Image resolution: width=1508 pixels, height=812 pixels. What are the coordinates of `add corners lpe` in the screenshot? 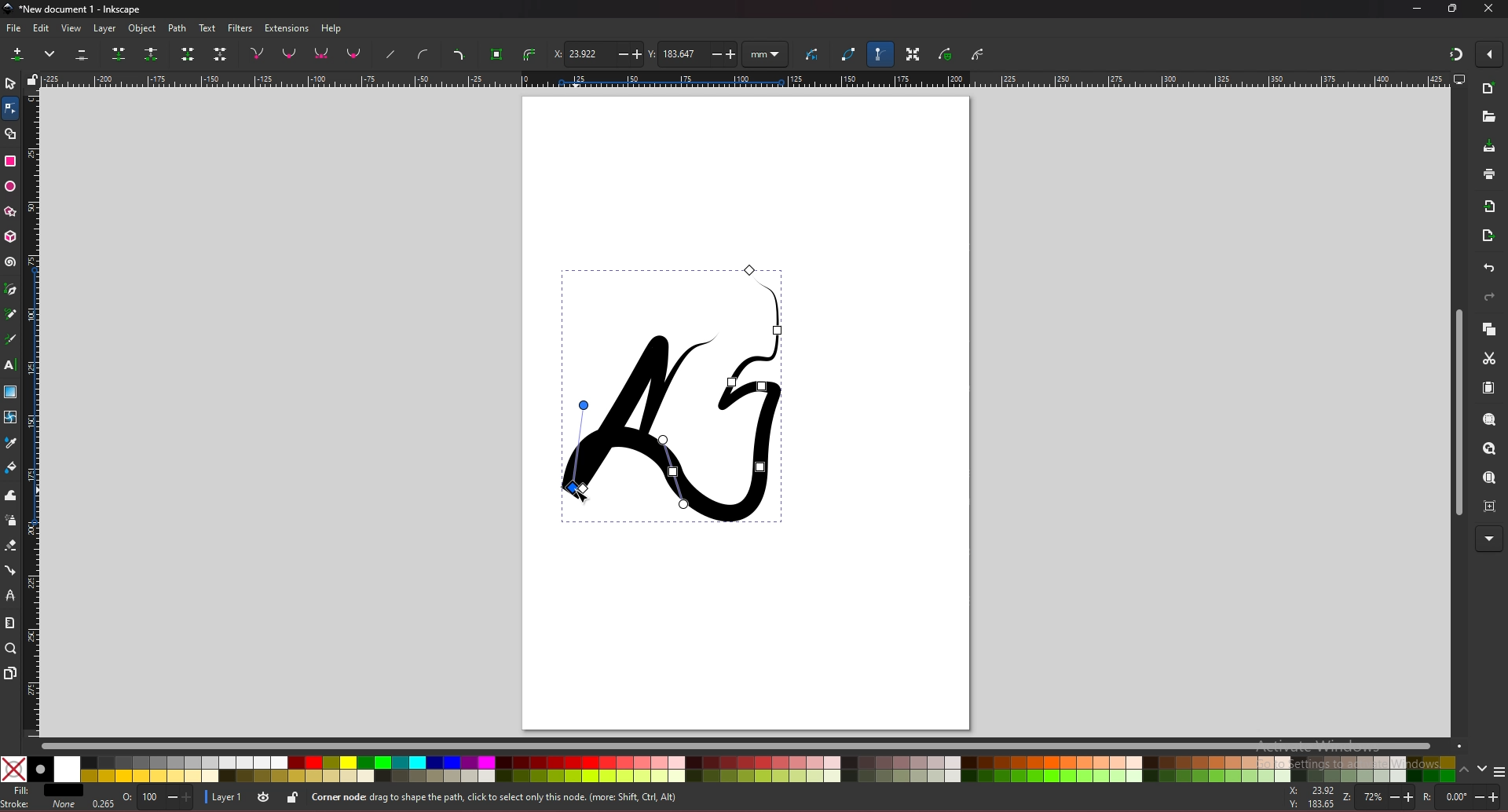 It's located at (459, 55).